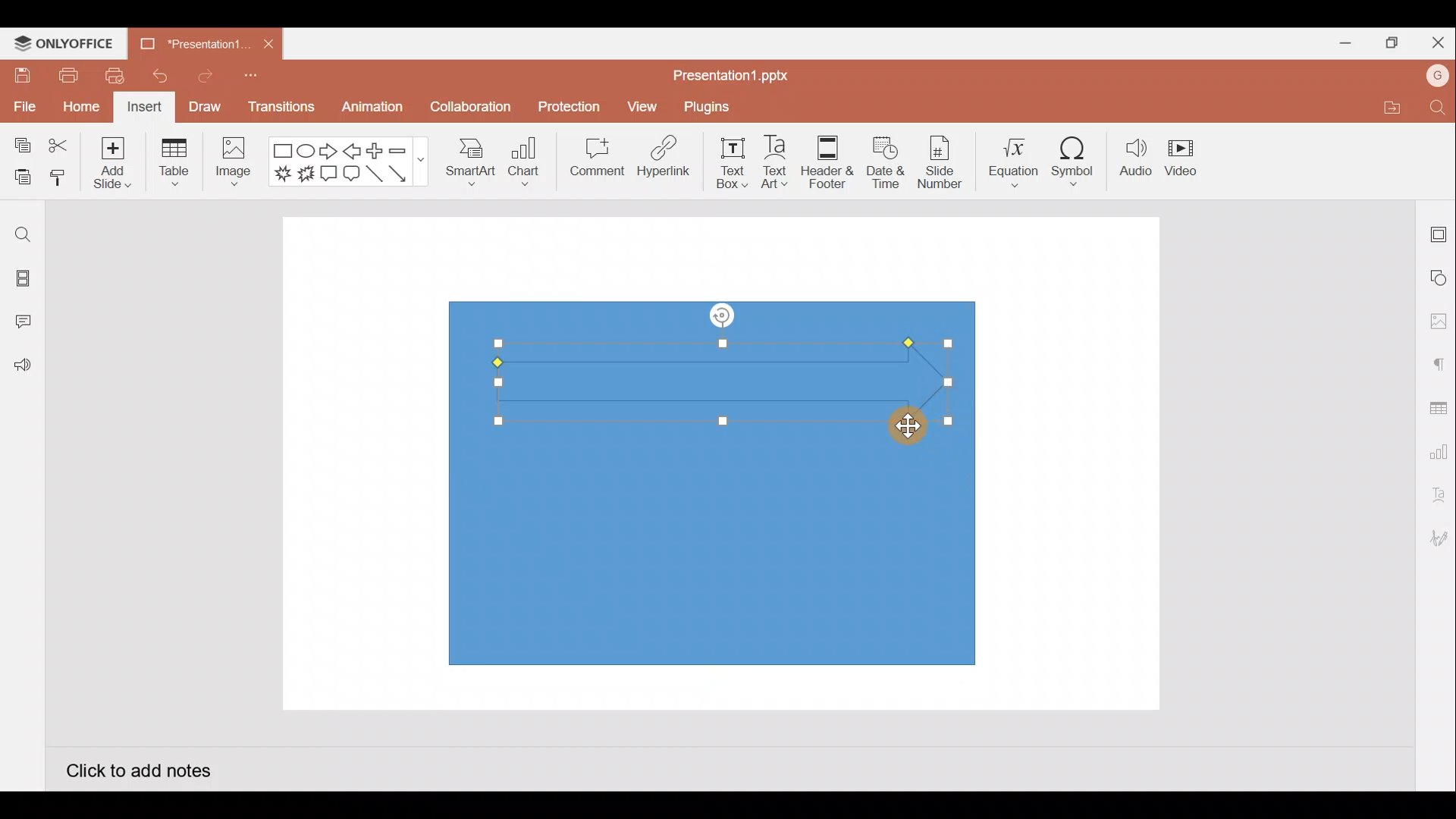 This screenshot has width=1456, height=819. Describe the element at coordinates (828, 158) in the screenshot. I see `Header & footer` at that location.